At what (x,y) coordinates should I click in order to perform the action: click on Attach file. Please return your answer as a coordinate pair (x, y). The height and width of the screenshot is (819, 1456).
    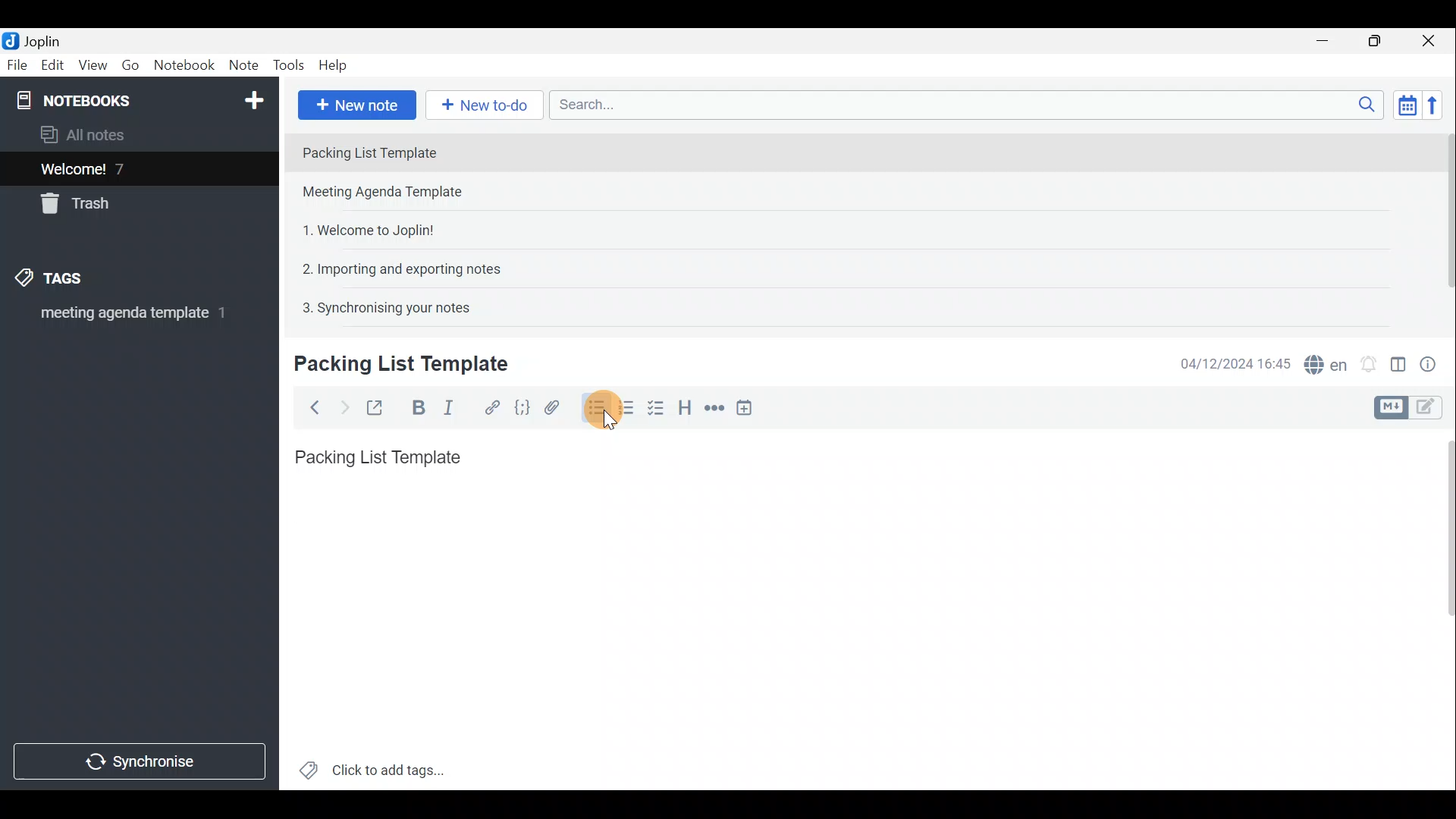
    Looking at the image, I should click on (552, 406).